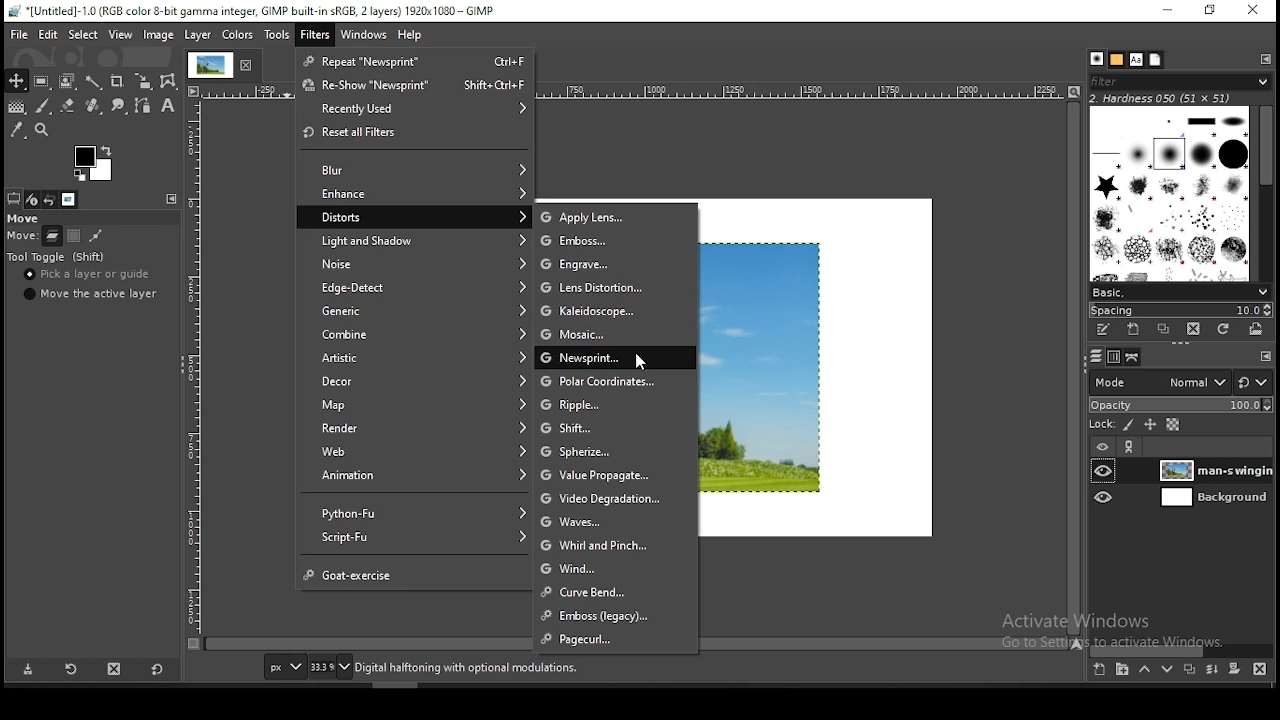  What do you see at coordinates (415, 360) in the screenshot?
I see `artistic` at bounding box center [415, 360].